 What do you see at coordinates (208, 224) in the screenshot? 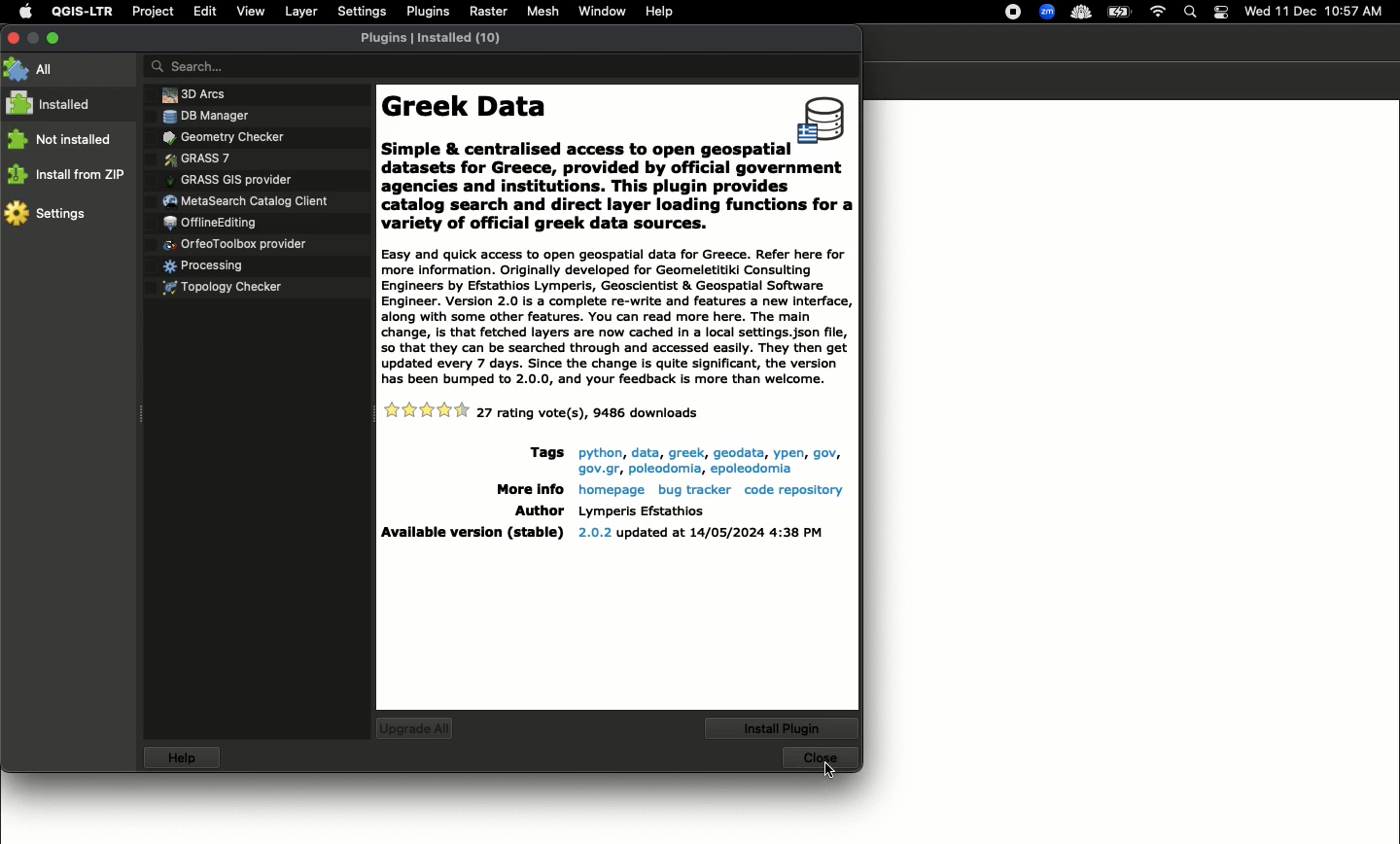
I see `Offline editing` at bounding box center [208, 224].